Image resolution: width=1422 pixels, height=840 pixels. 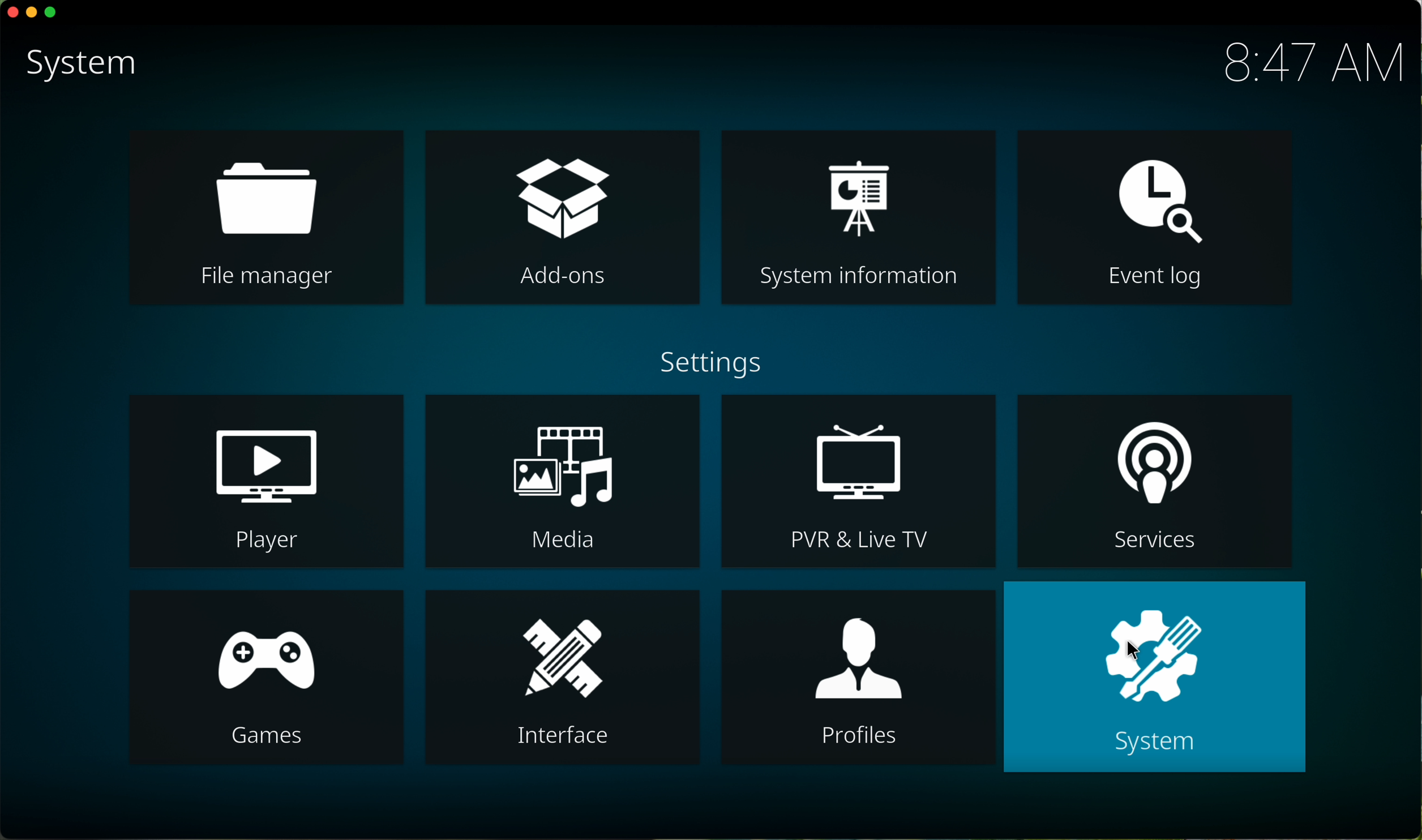 What do you see at coordinates (265, 219) in the screenshot?
I see `file manager` at bounding box center [265, 219].